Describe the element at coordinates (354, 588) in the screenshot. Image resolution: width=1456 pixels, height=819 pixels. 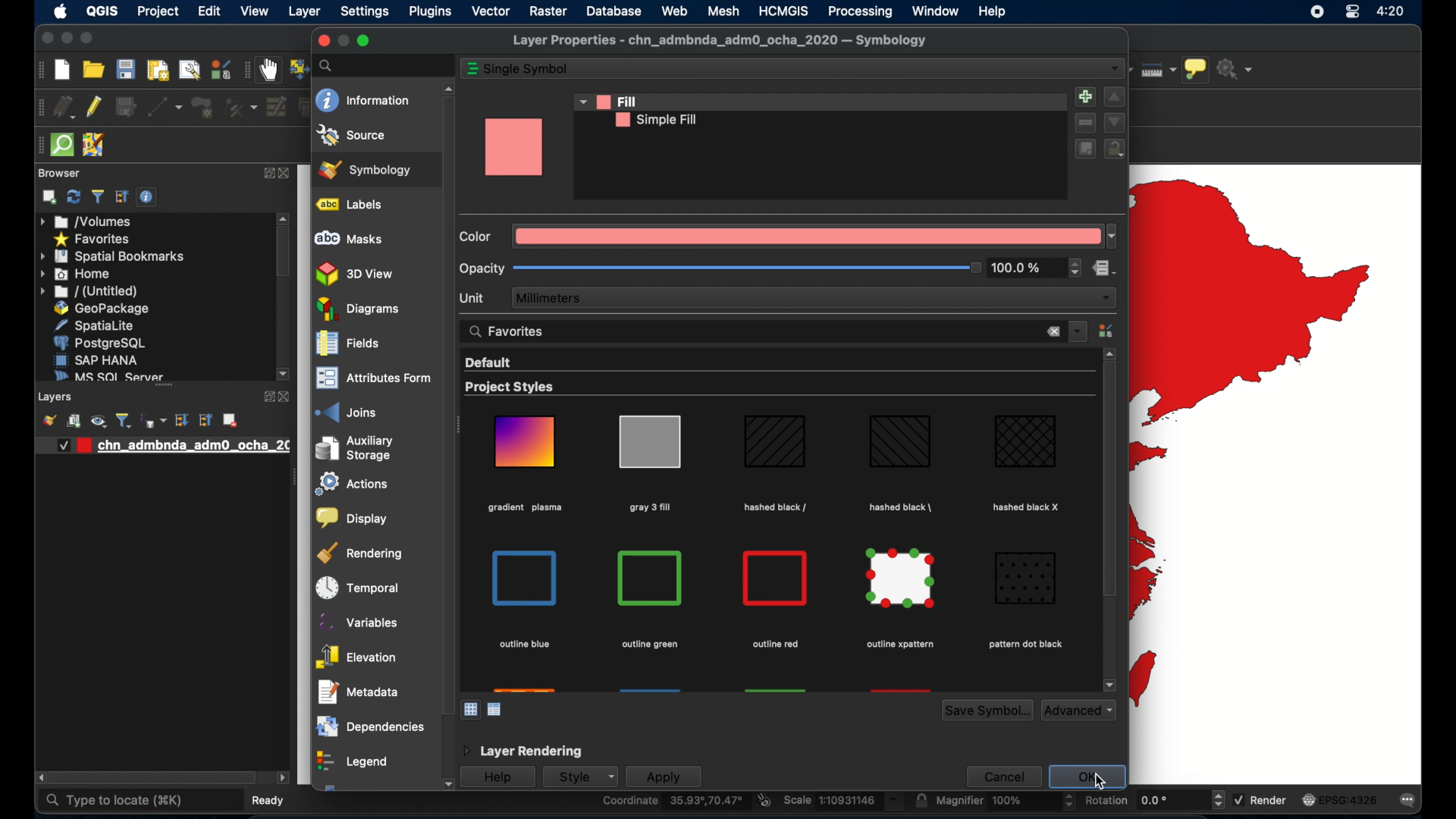
I see `temporal` at that location.